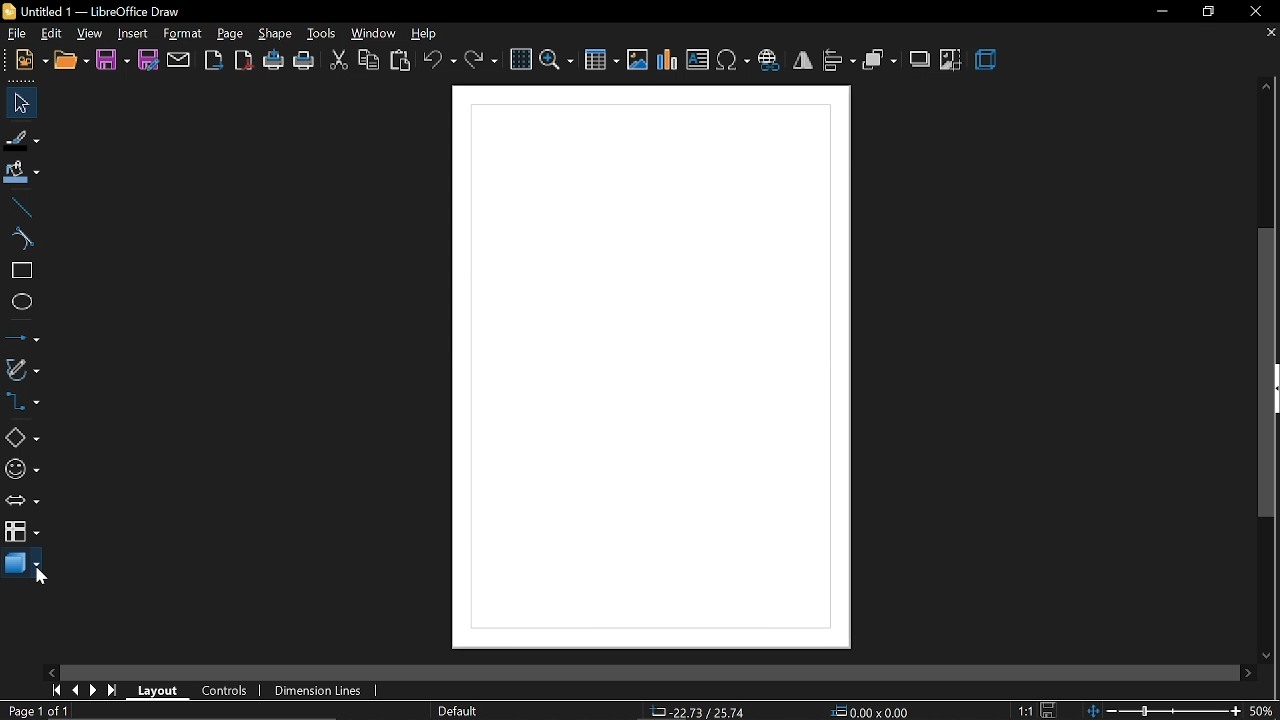 The image size is (1280, 720). What do you see at coordinates (638, 61) in the screenshot?
I see `insert image` at bounding box center [638, 61].